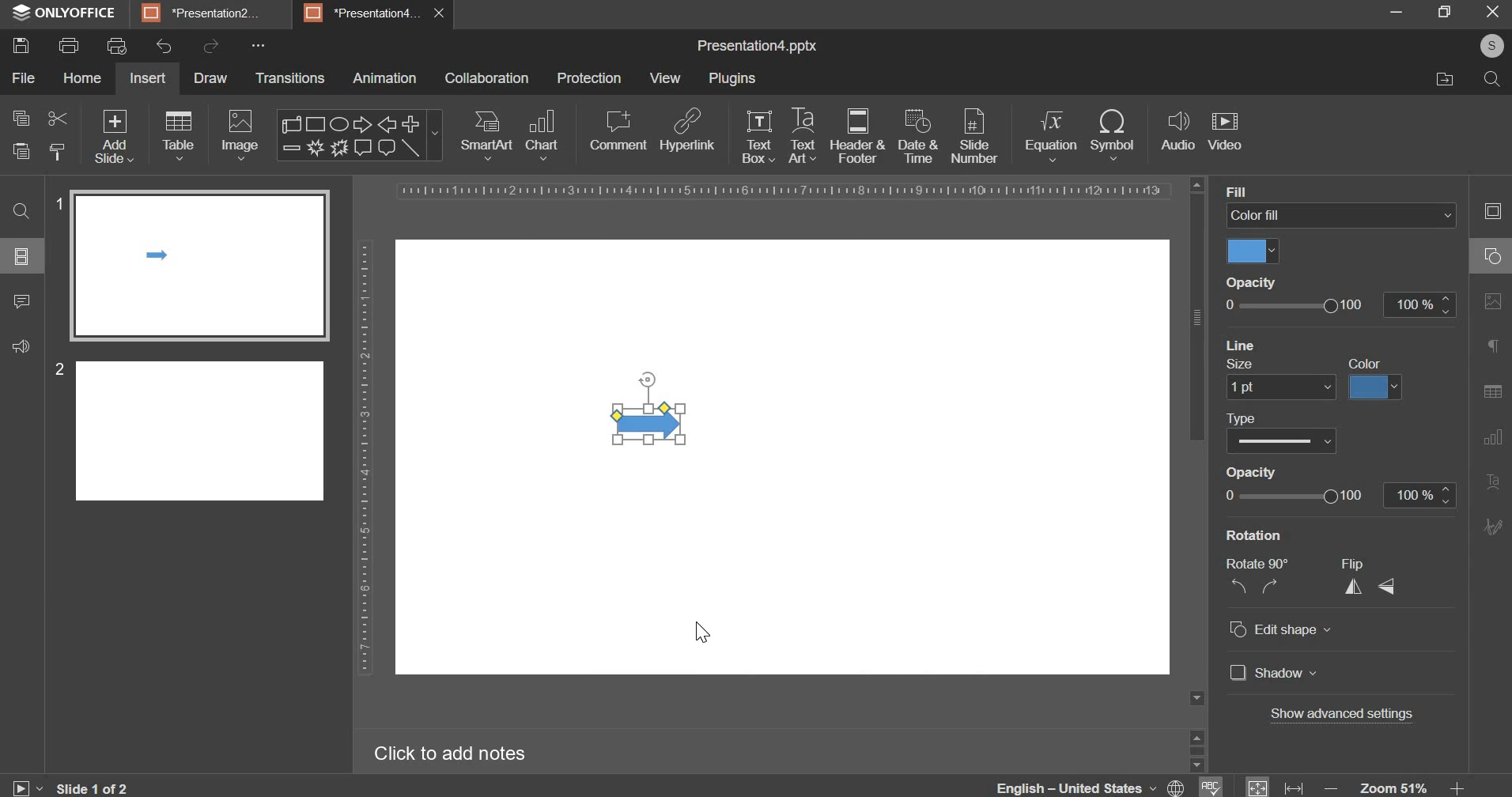 The height and width of the screenshot is (797, 1512). Describe the element at coordinates (1341, 304) in the screenshot. I see `opacity` at that location.